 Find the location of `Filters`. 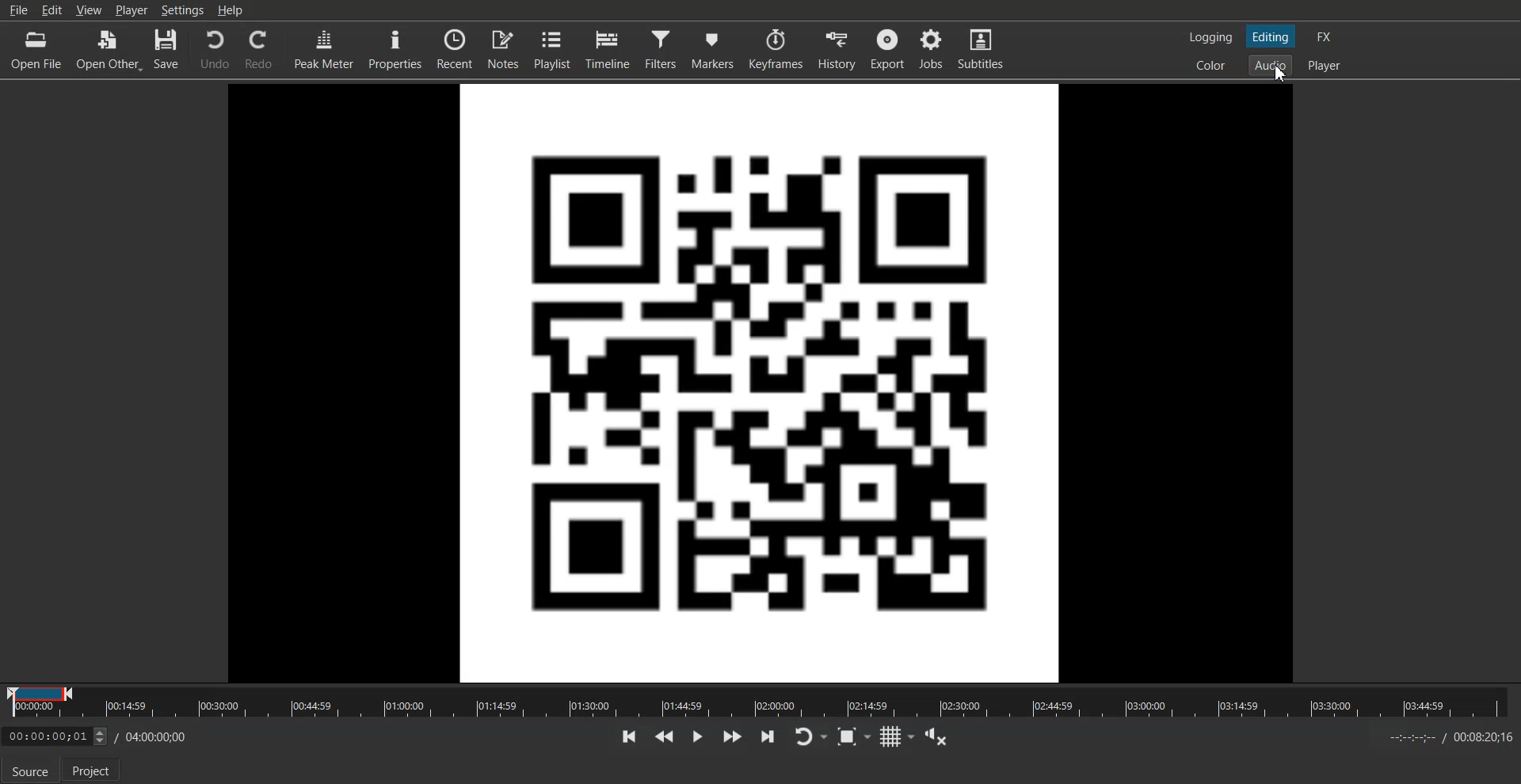

Filters is located at coordinates (661, 50).